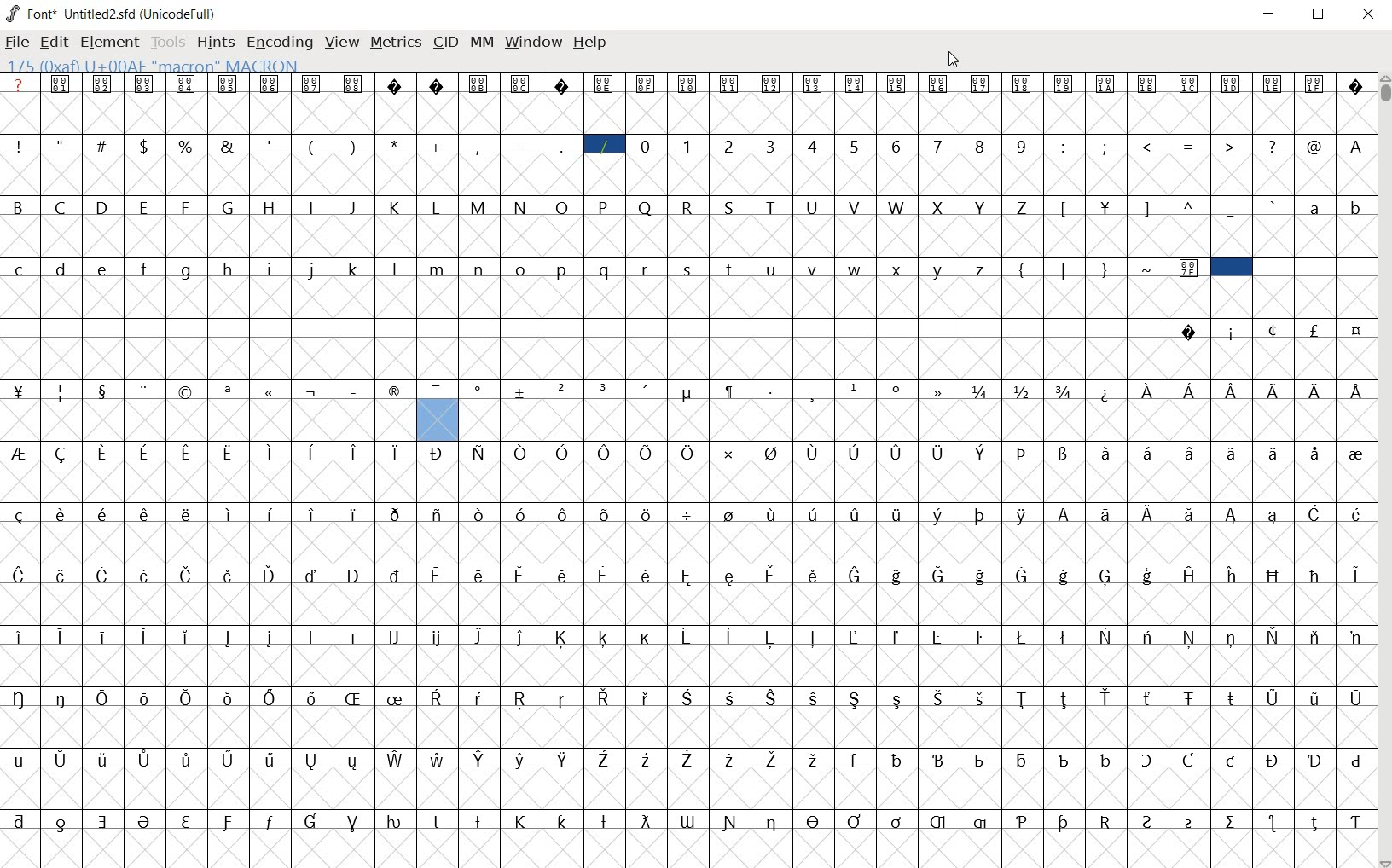 Image resolution: width=1392 pixels, height=868 pixels. Describe the element at coordinates (1149, 266) in the screenshot. I see `~` at that location.